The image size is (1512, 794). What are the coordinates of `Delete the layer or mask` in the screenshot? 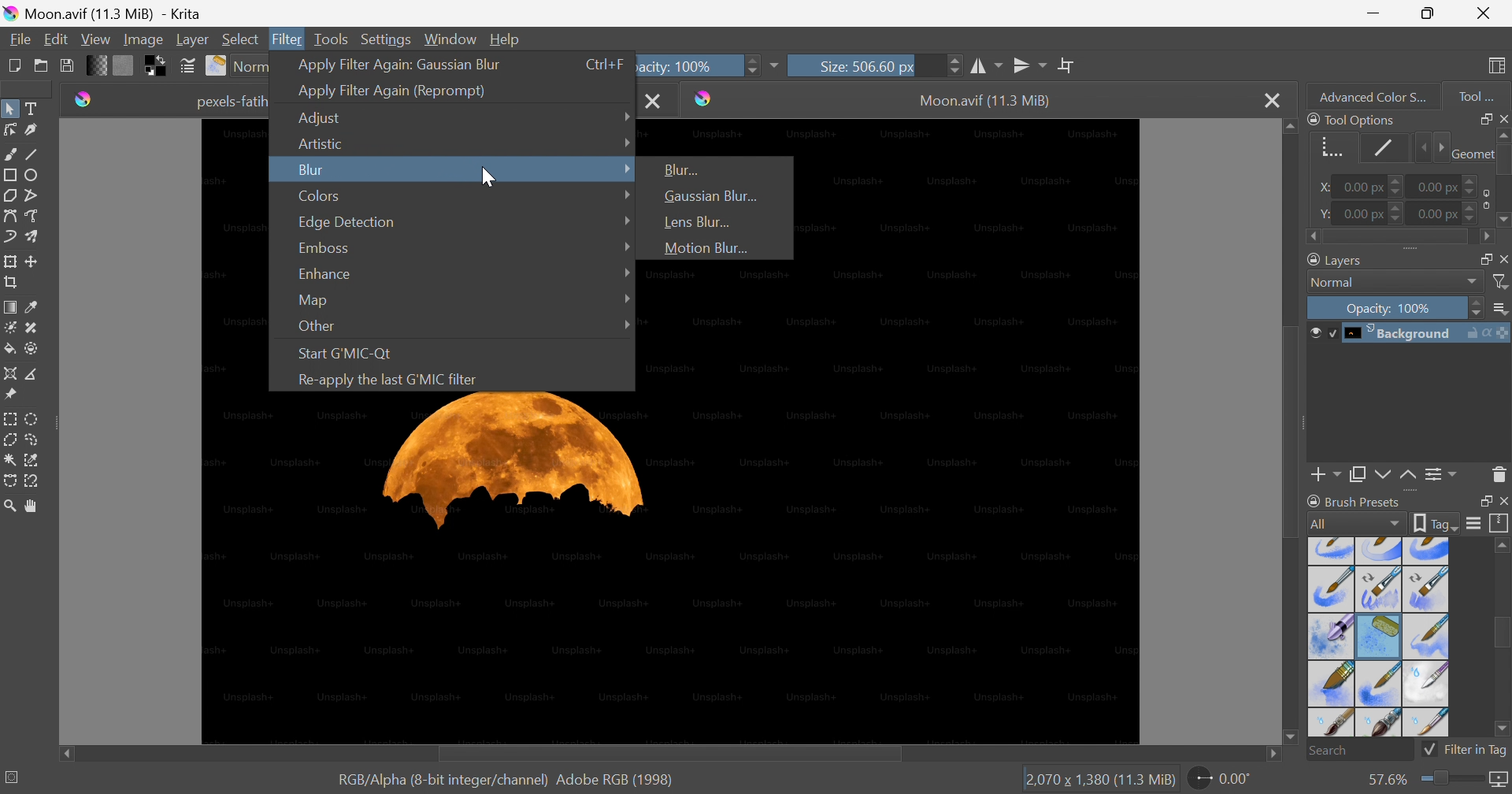 It's located at (1499, 477).